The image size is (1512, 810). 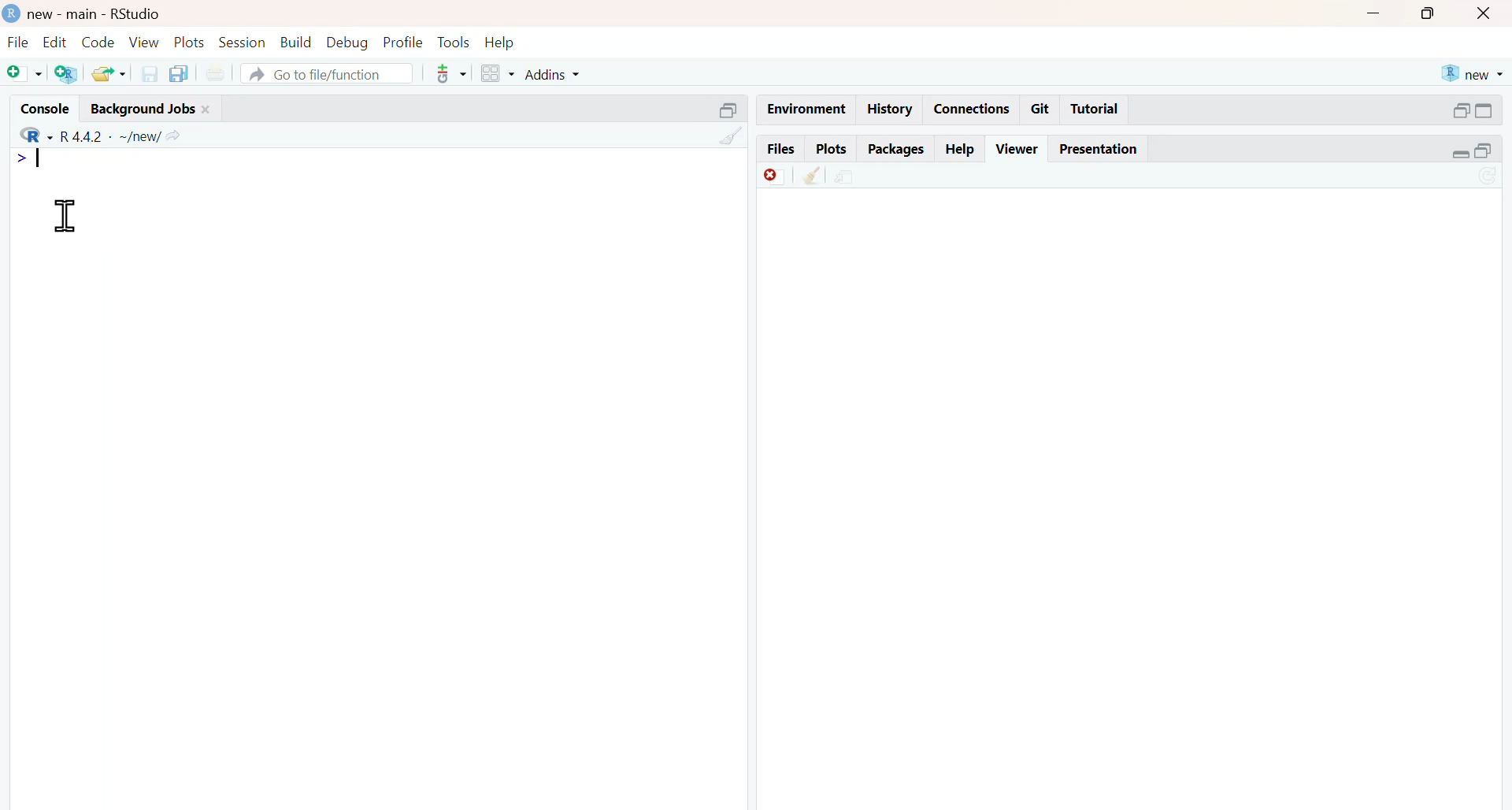 What do you see at coordinates (453, 73) in the screenshot?
I see `tools` at bounding box center [453, 73].